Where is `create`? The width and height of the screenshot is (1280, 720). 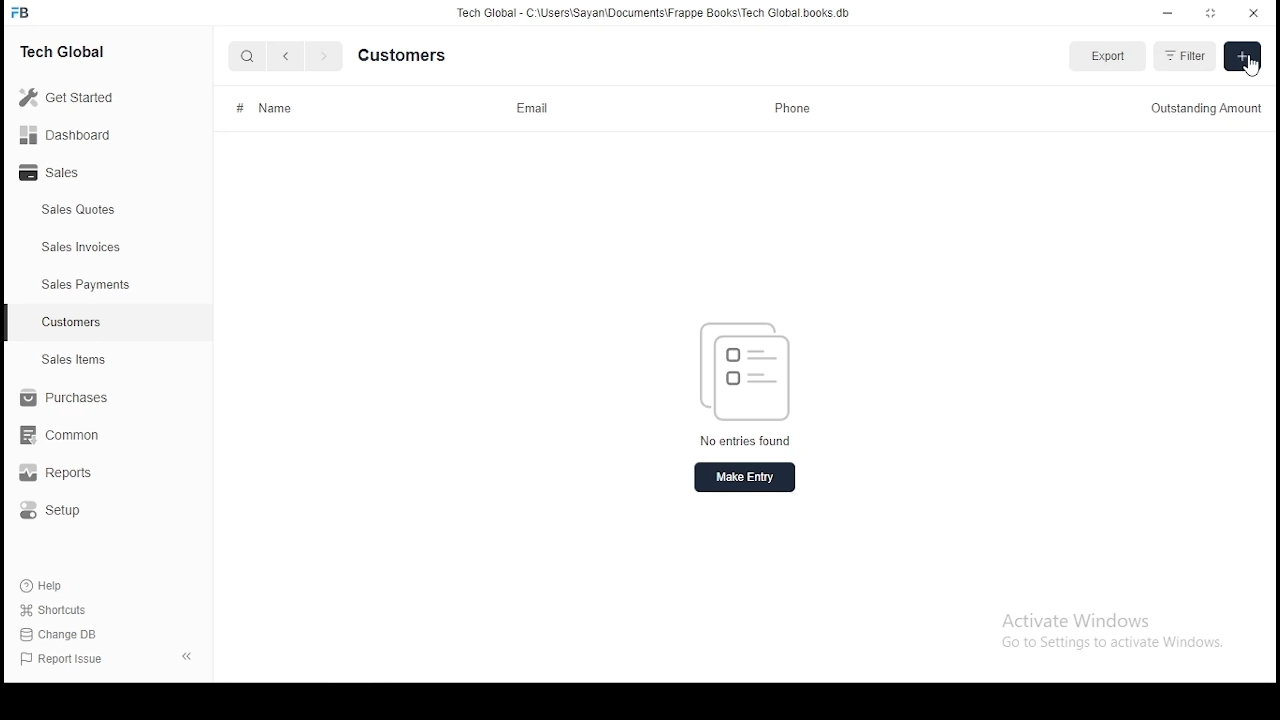
create is located at coordinates (1241, 56).